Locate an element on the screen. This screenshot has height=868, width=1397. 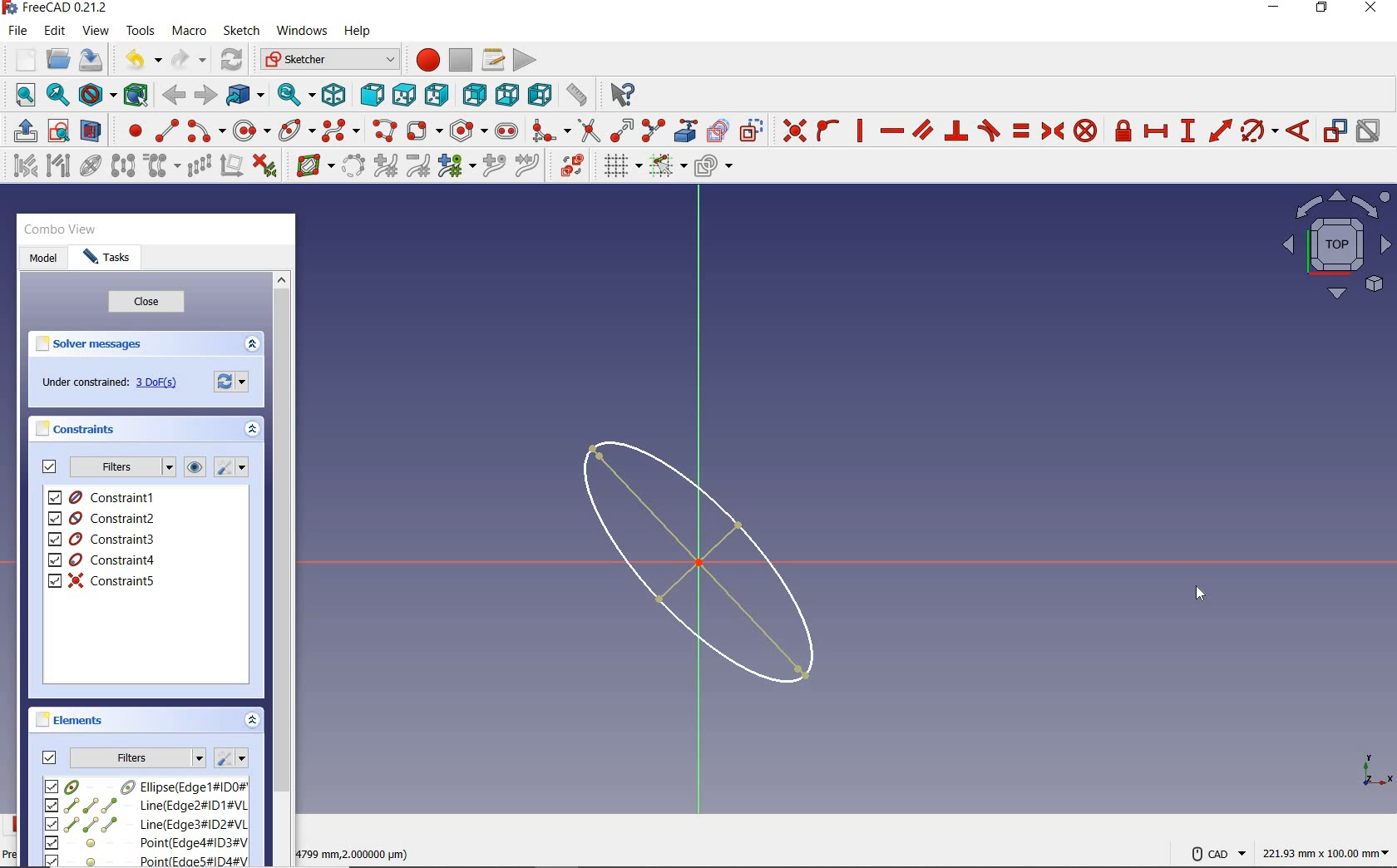
model is located at coordinates (43, 259).